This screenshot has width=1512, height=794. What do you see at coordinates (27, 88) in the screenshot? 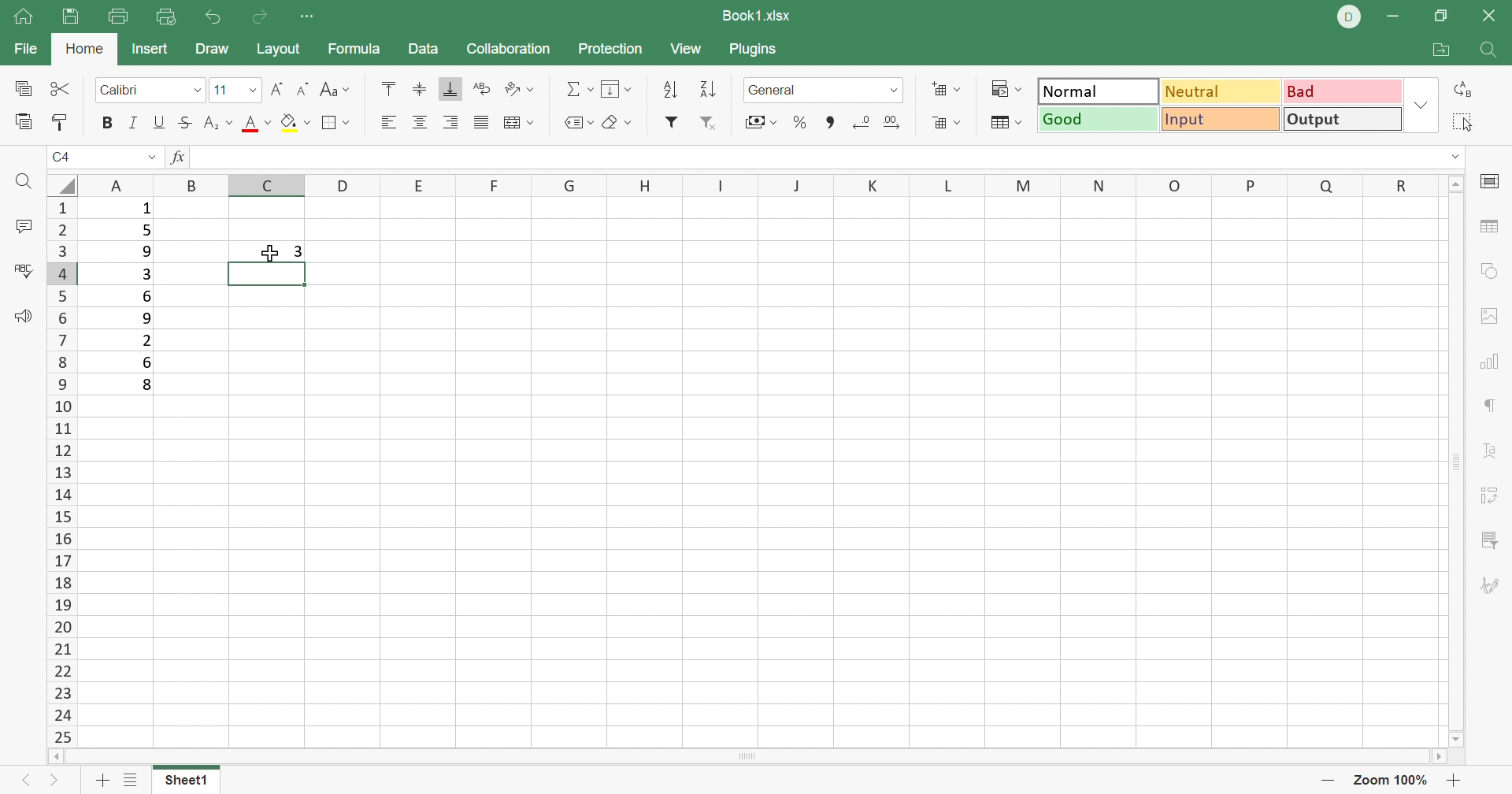
I see `Copy` at bounding box center [27, 88].